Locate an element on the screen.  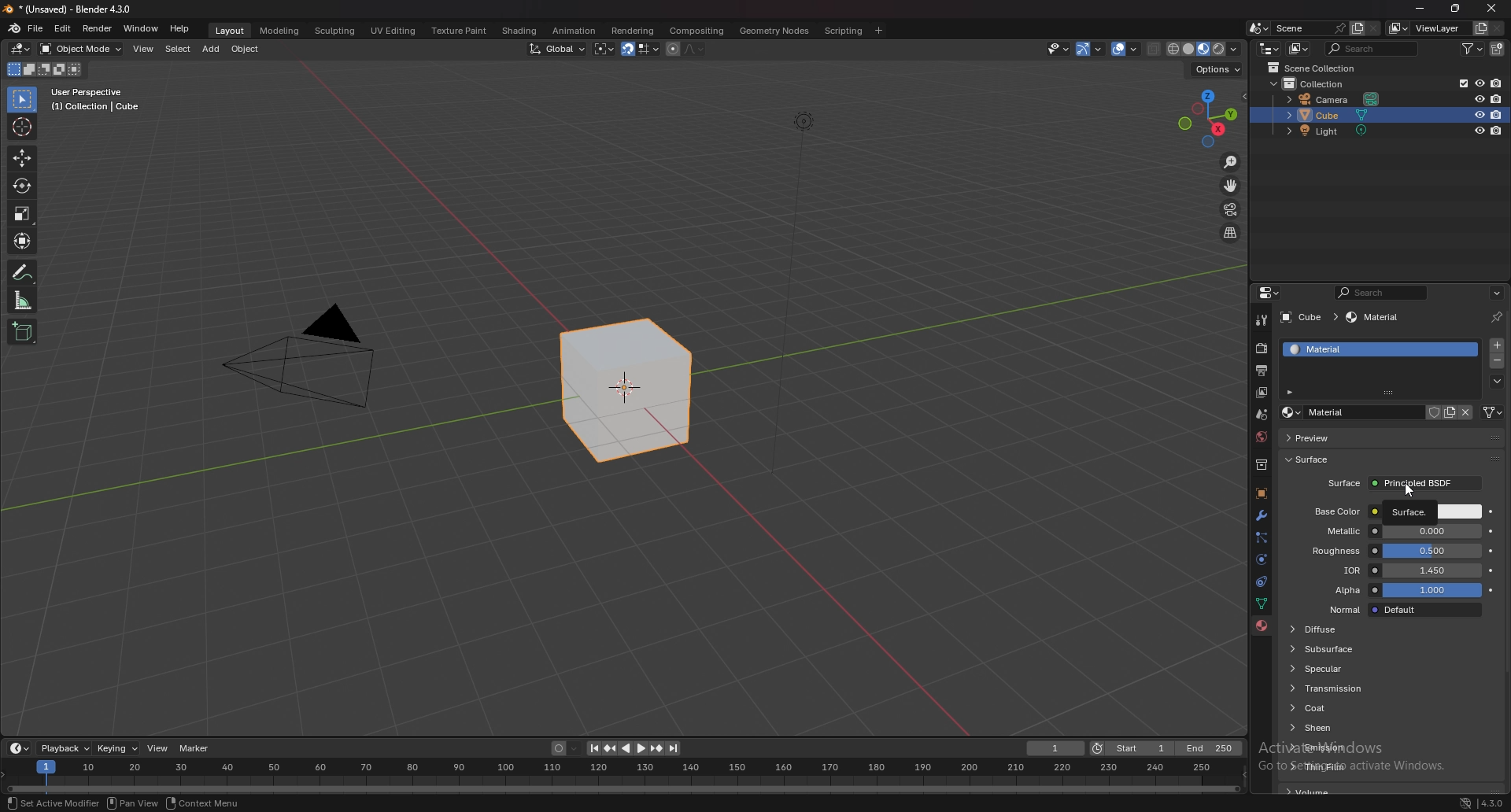
scrulpting is located at coordinates (337, 31).